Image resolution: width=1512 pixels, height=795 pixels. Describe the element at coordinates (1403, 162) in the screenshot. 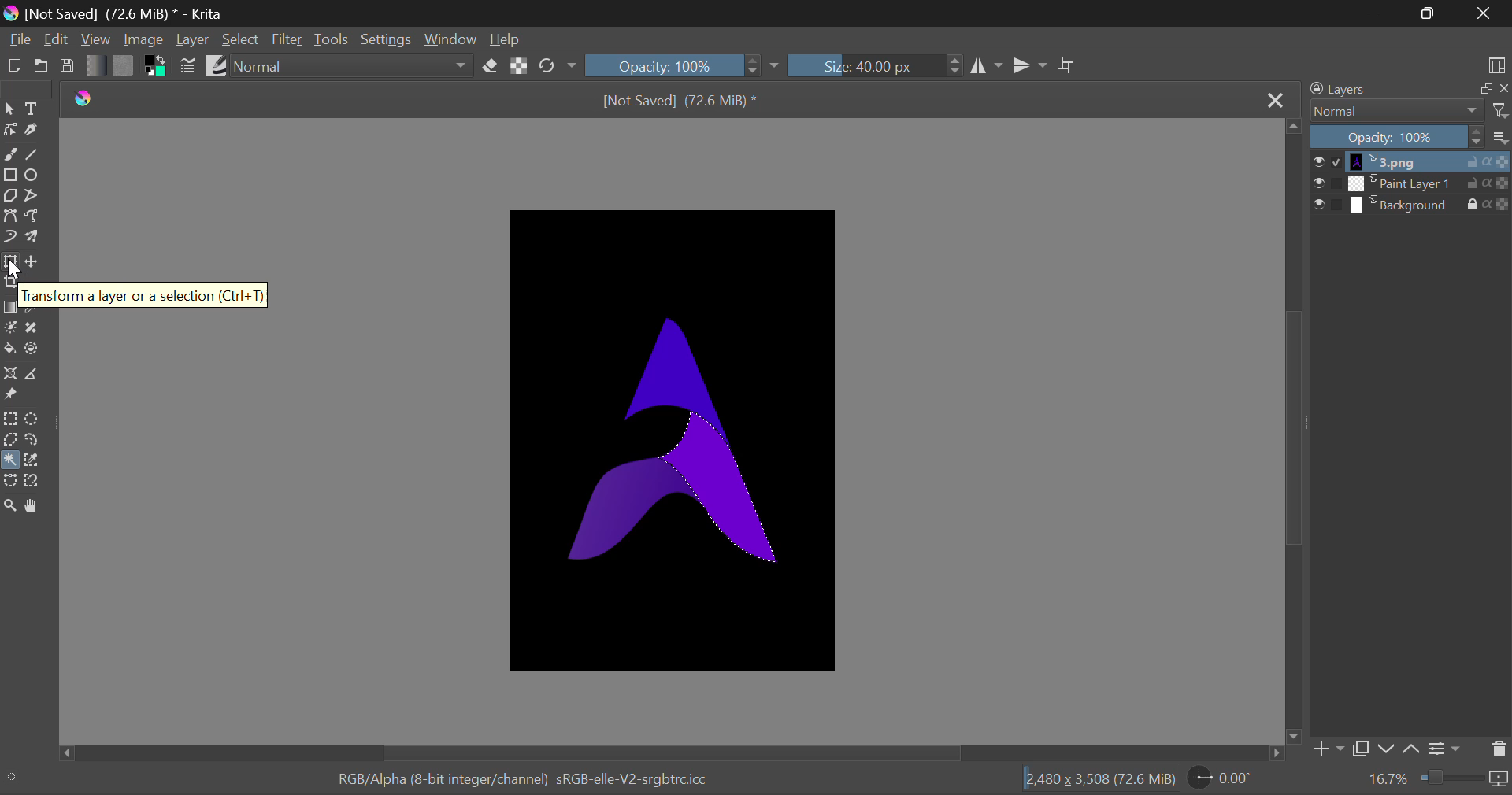

I see `layer 1` at that location.